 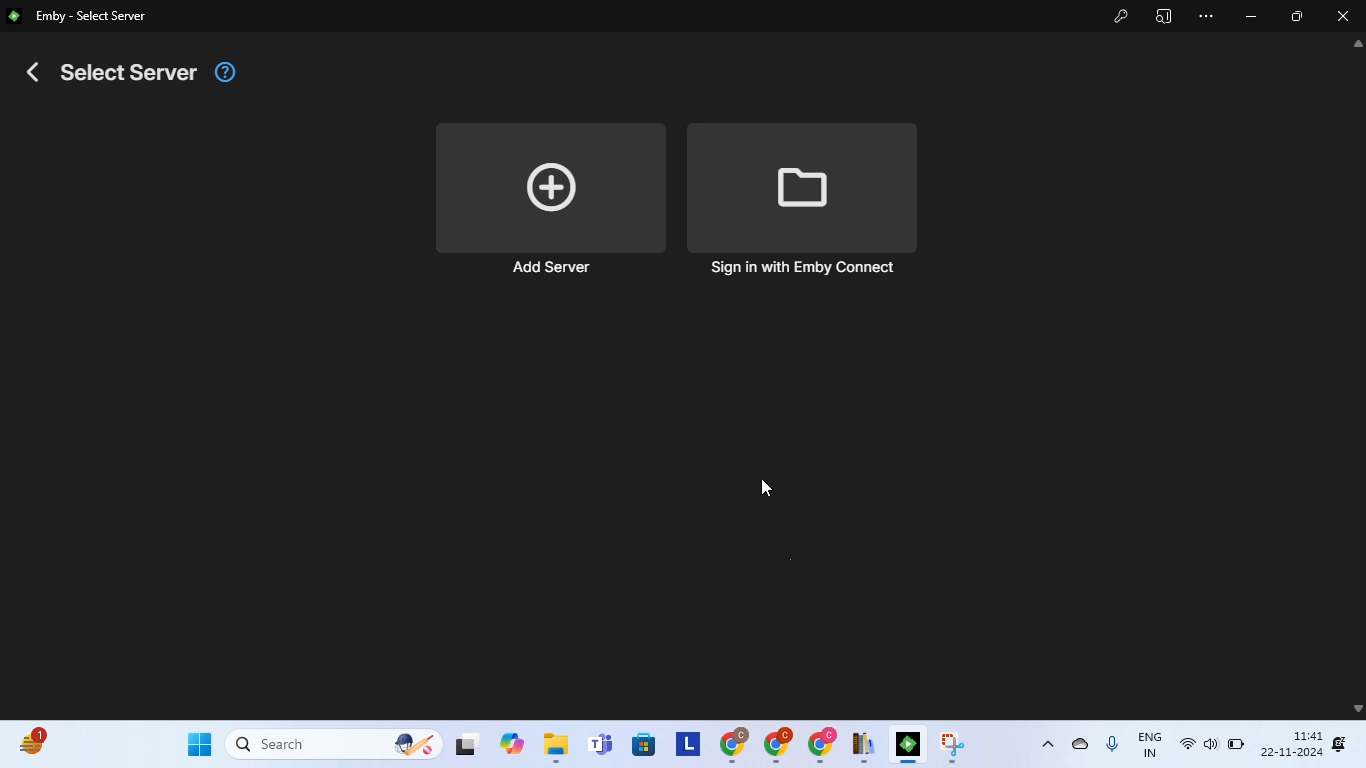 What do you see at coordinates (865, 746) in the screenshot?
I see `note` at bounding box center [865, 746].